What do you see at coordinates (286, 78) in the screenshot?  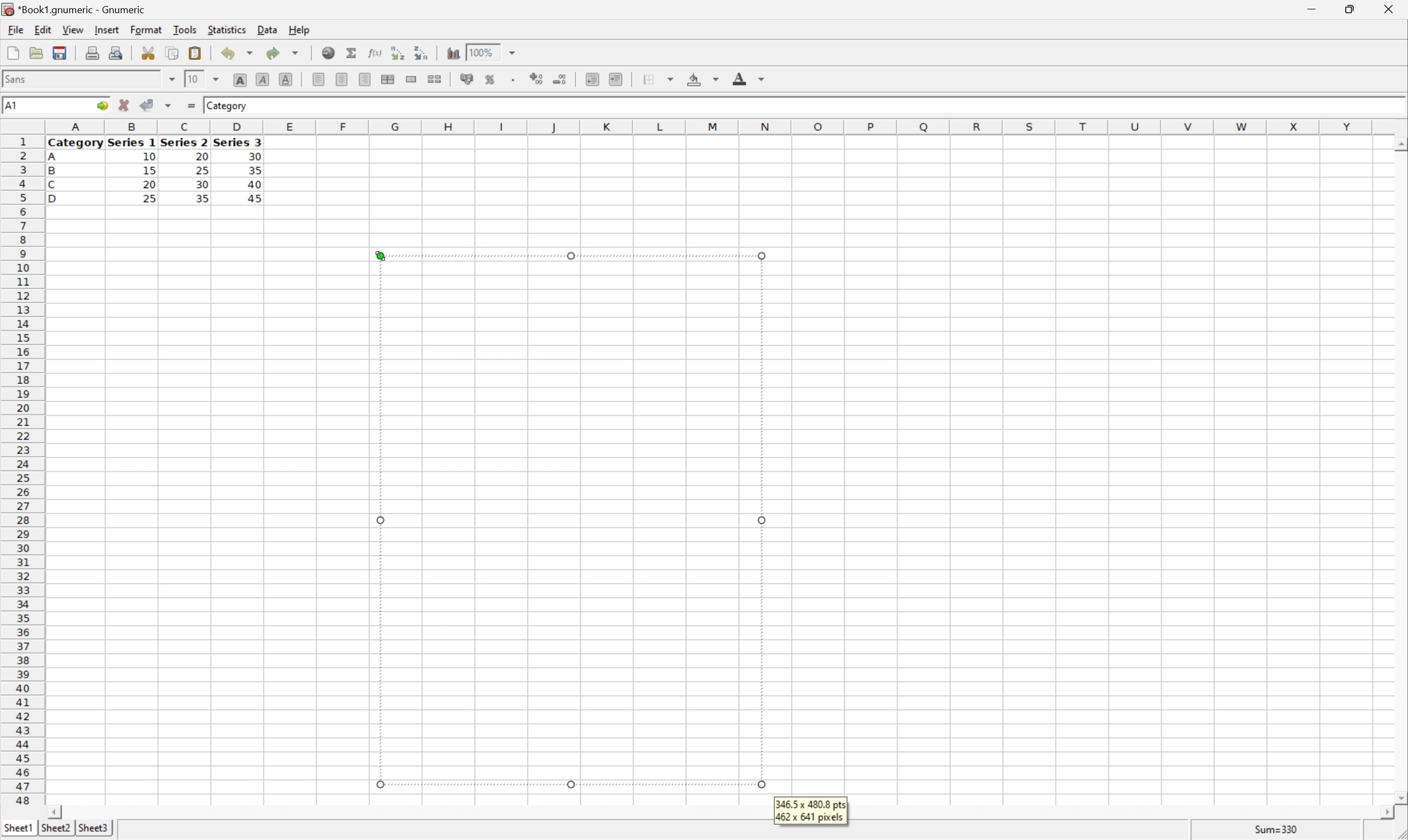 I see `Underline` at bounding box center [286, 78].